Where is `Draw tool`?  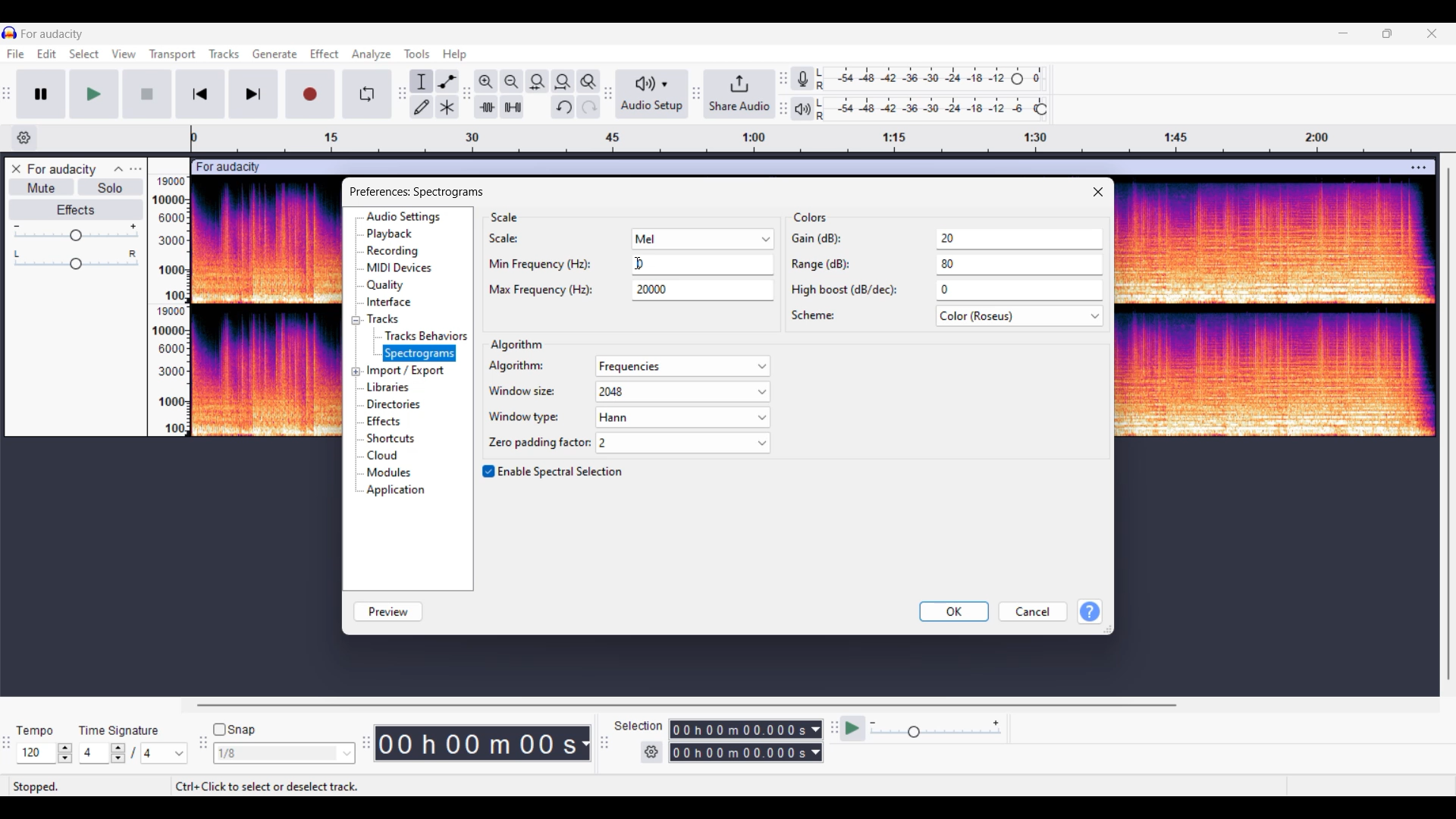
Draw tool is located at coordinates (422, 107).